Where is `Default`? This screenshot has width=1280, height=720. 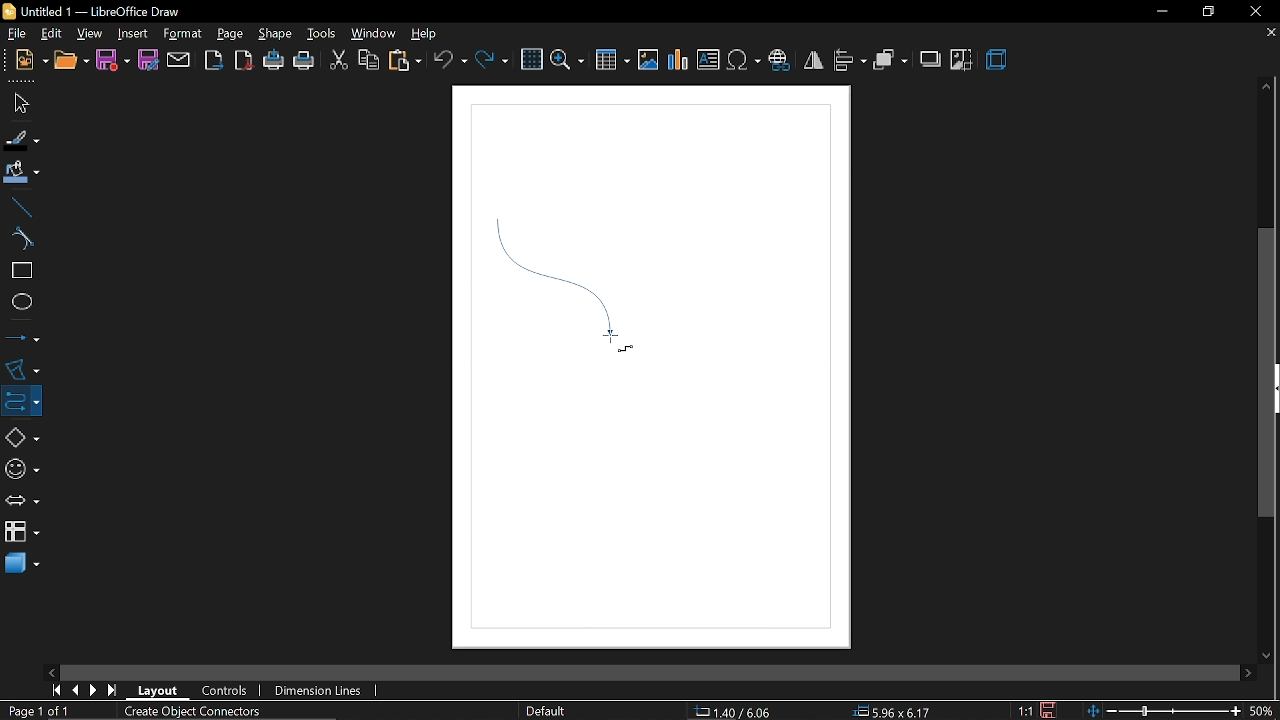
Default is located at coordinates (546, 712).